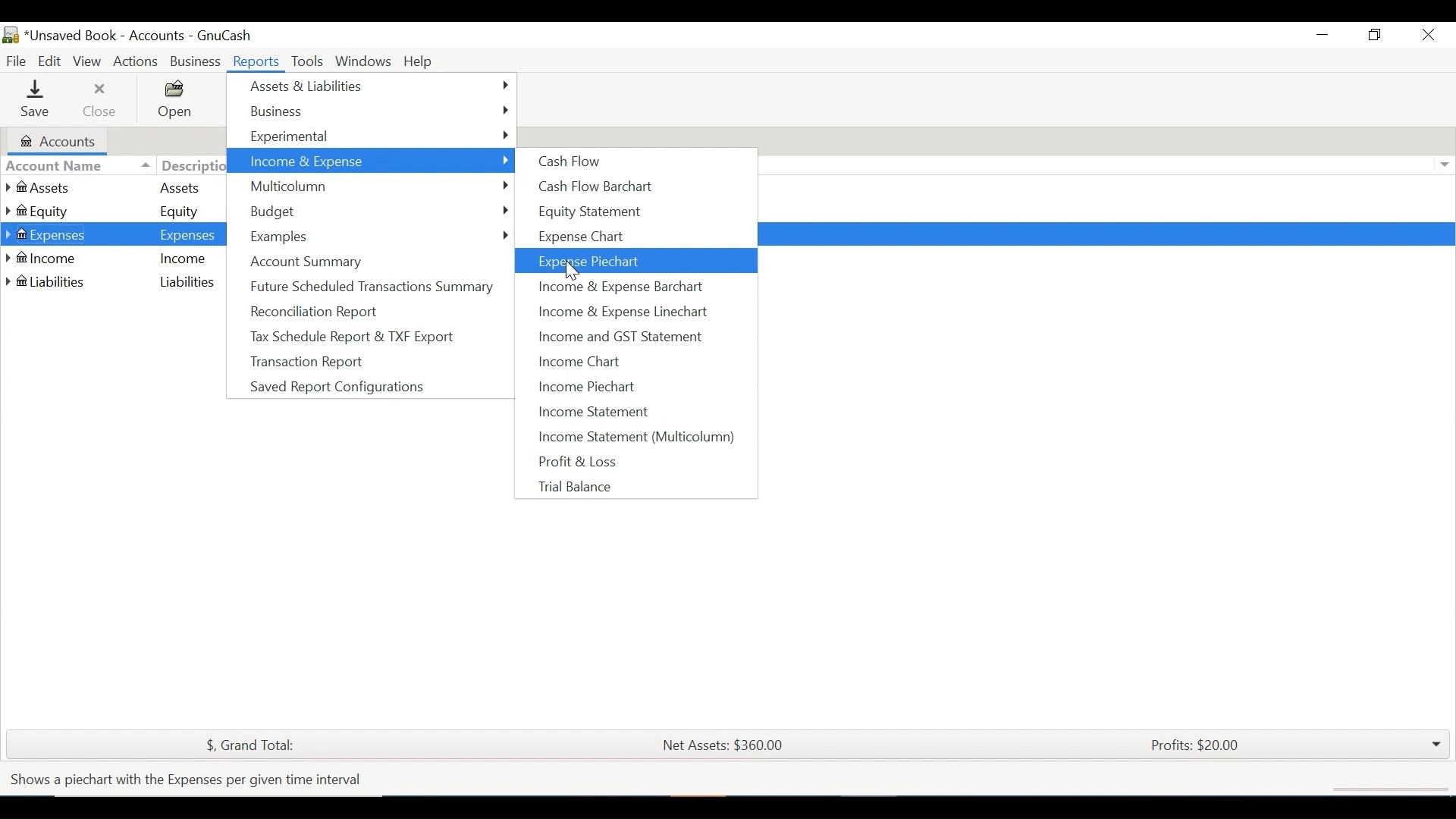  Describe the element at coordinates (584, 362) in the screenshot. I see `Income Chart` at that location.